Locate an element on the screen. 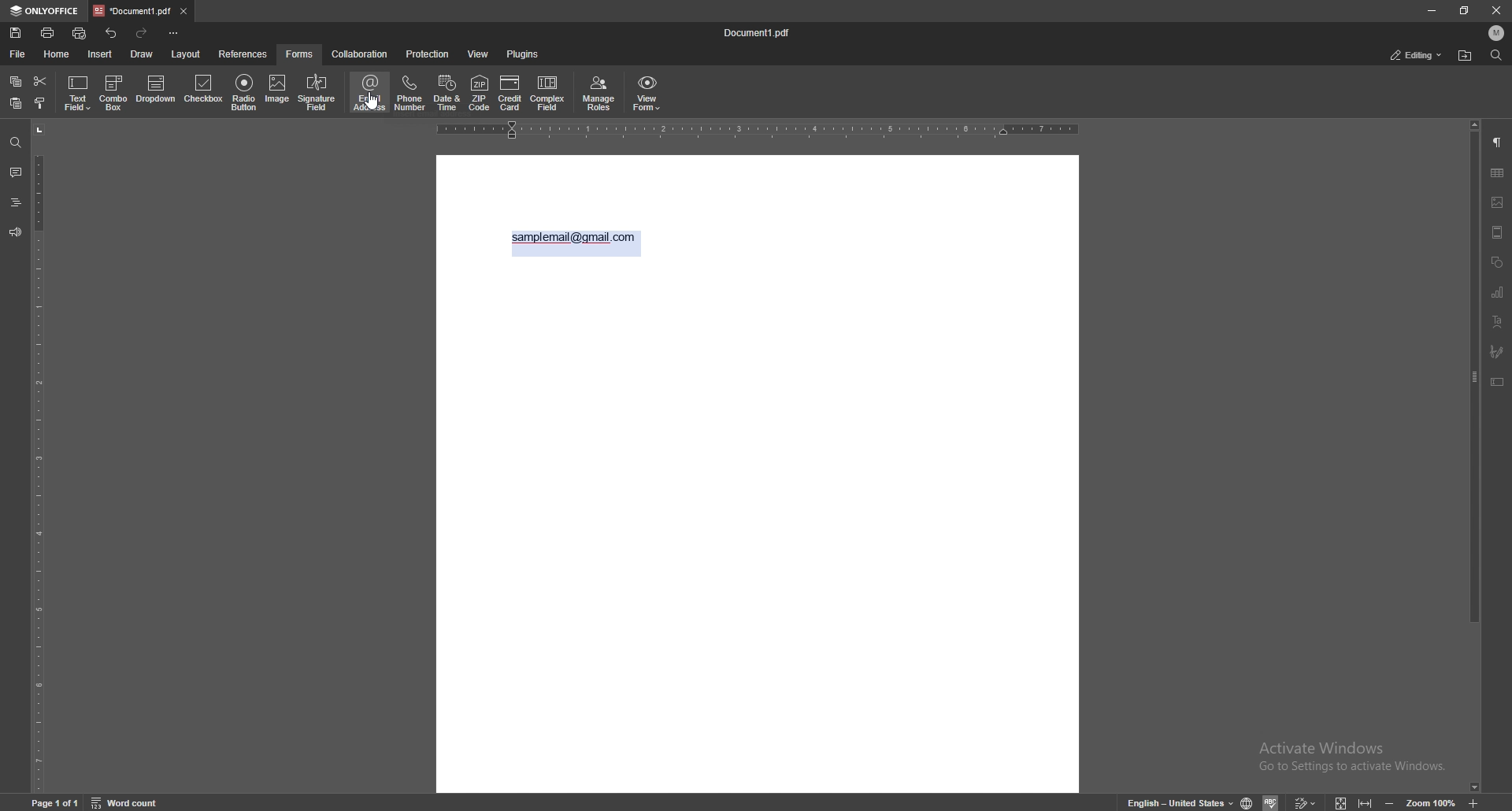 This screenshot has height=811, width=1512. manage roles is located at coordinates (599, 93).